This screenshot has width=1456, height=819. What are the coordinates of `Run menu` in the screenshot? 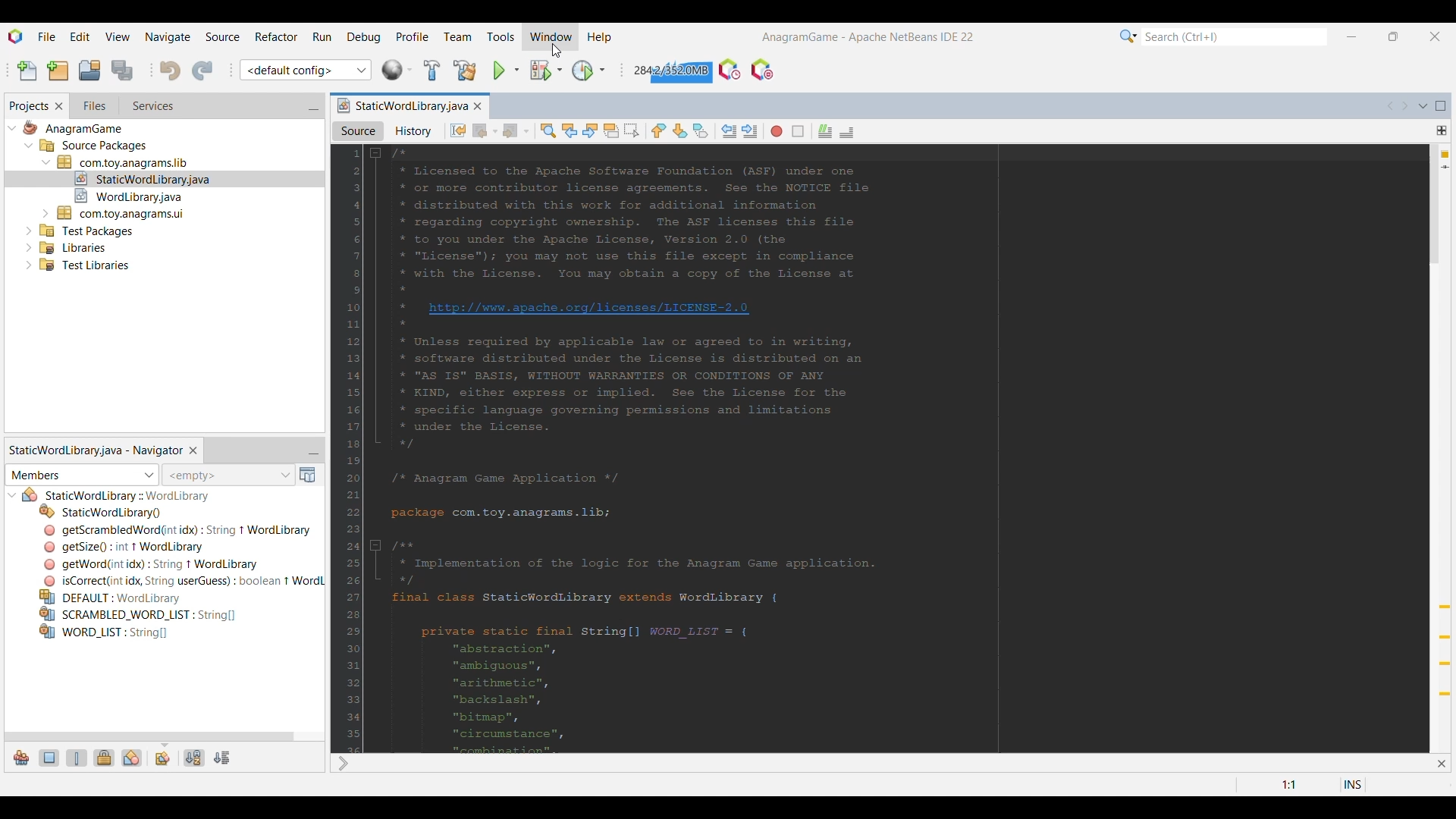 It's located at (322, 36).